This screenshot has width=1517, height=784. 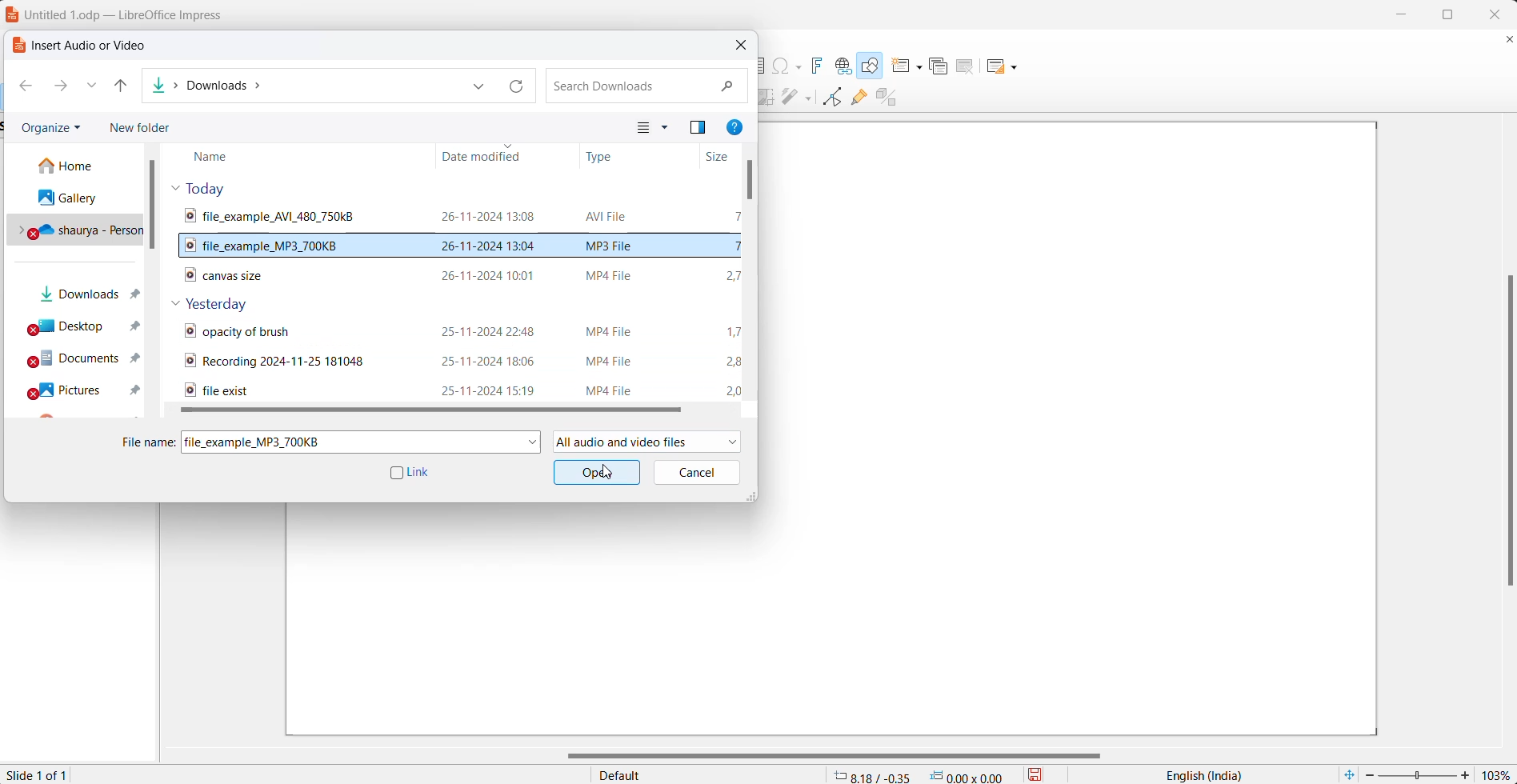 I want to click on zoom percentage, so click(x=1497, y=774).